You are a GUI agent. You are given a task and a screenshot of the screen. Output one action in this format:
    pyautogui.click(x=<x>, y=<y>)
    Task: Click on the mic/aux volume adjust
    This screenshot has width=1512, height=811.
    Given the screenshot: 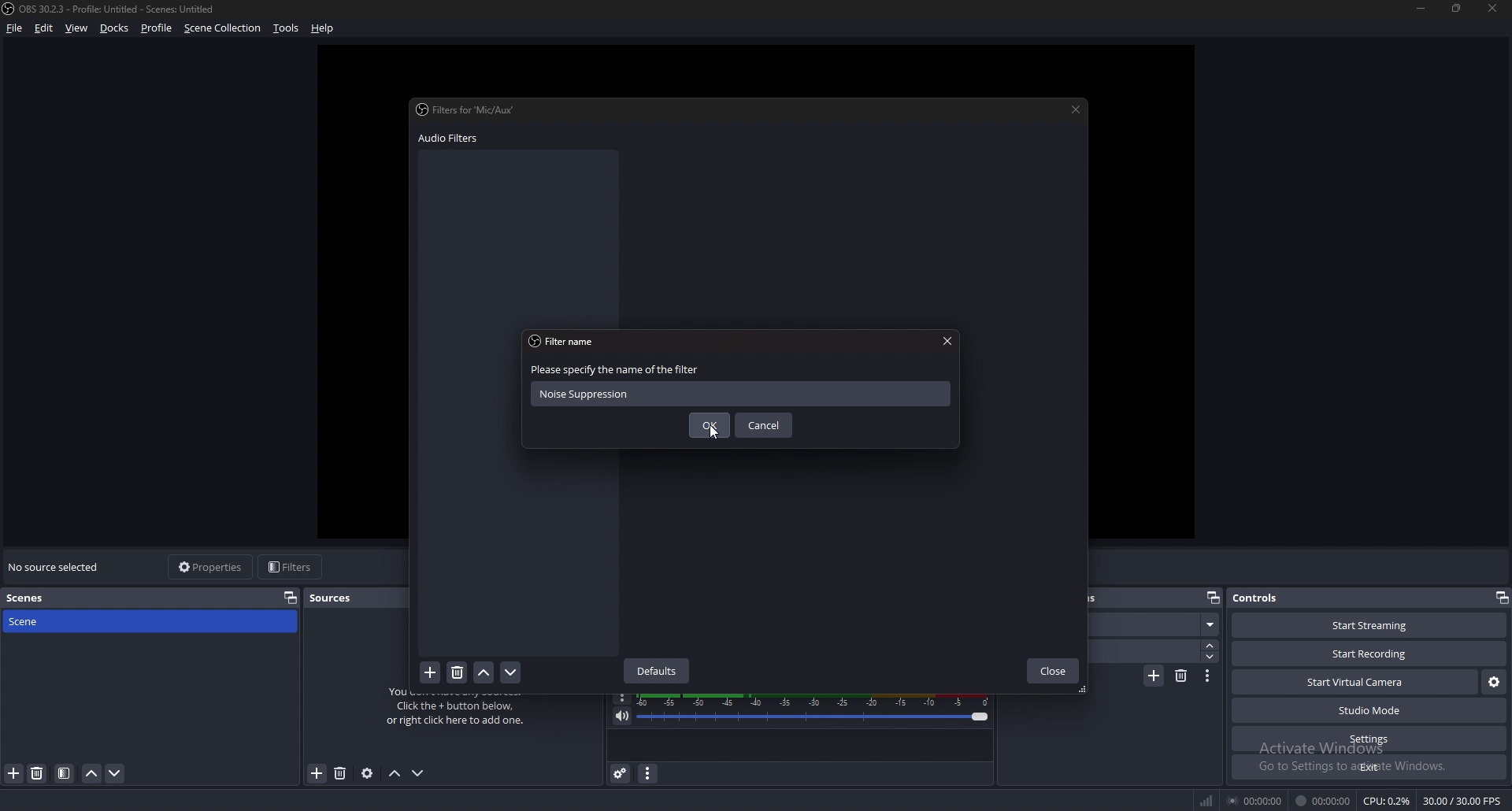 What is the action you would take?
    pyautogui.click(x=816, y=710)
    